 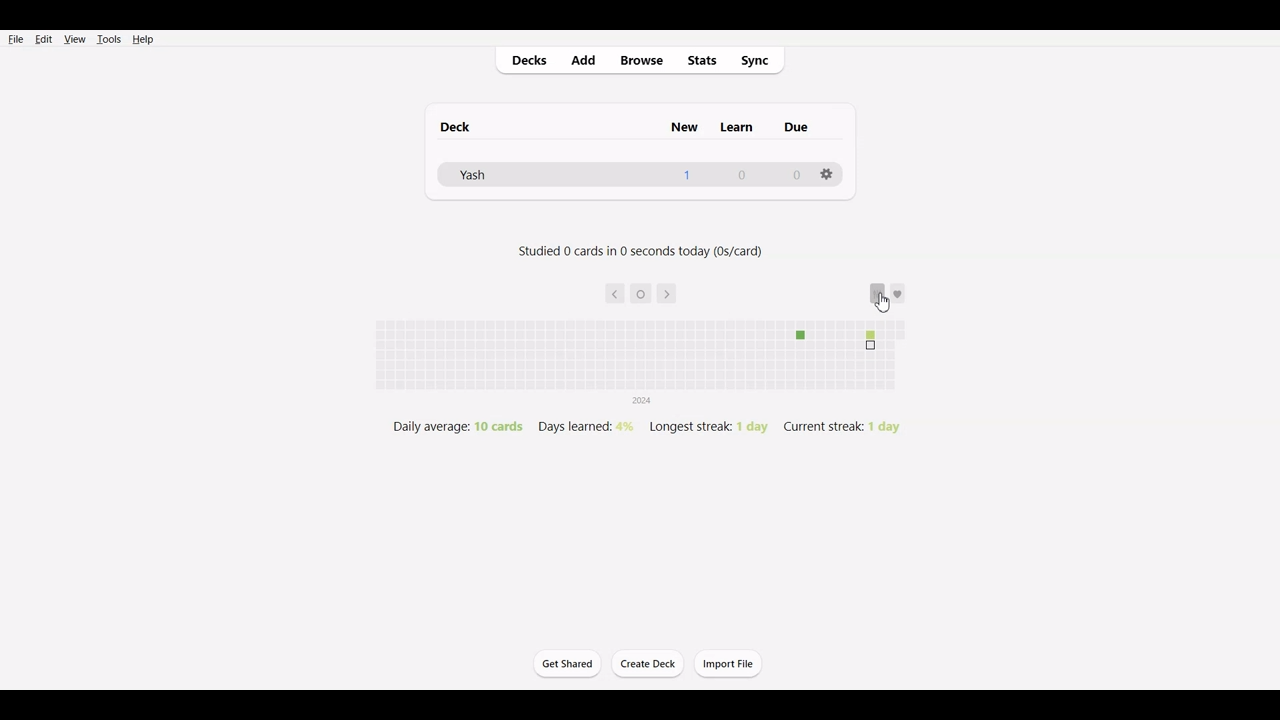 I want to click on Daily average: 10 cards, so click(x=453, y=426).